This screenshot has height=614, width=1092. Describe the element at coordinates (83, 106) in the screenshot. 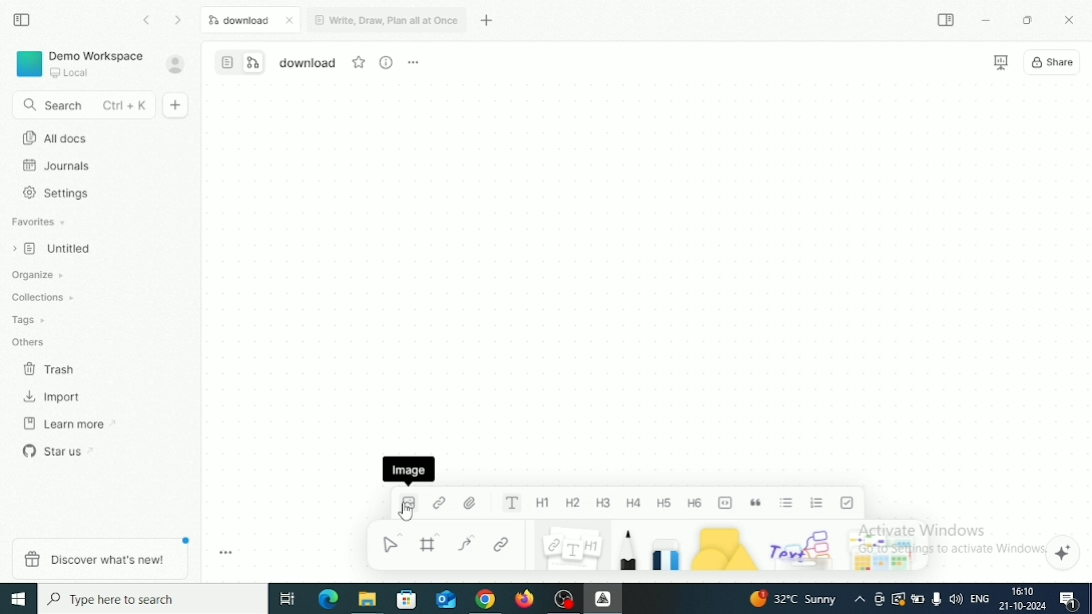

I see `Search` at that location.